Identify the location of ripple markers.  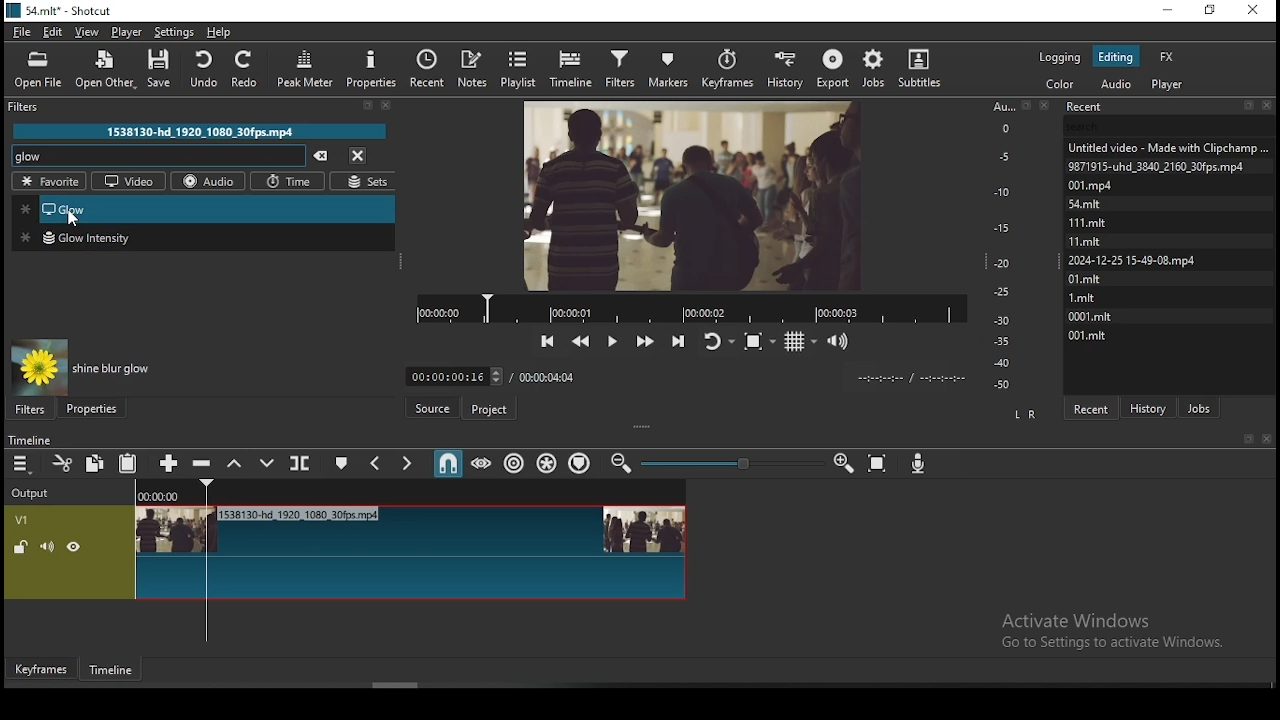
(581, 462).